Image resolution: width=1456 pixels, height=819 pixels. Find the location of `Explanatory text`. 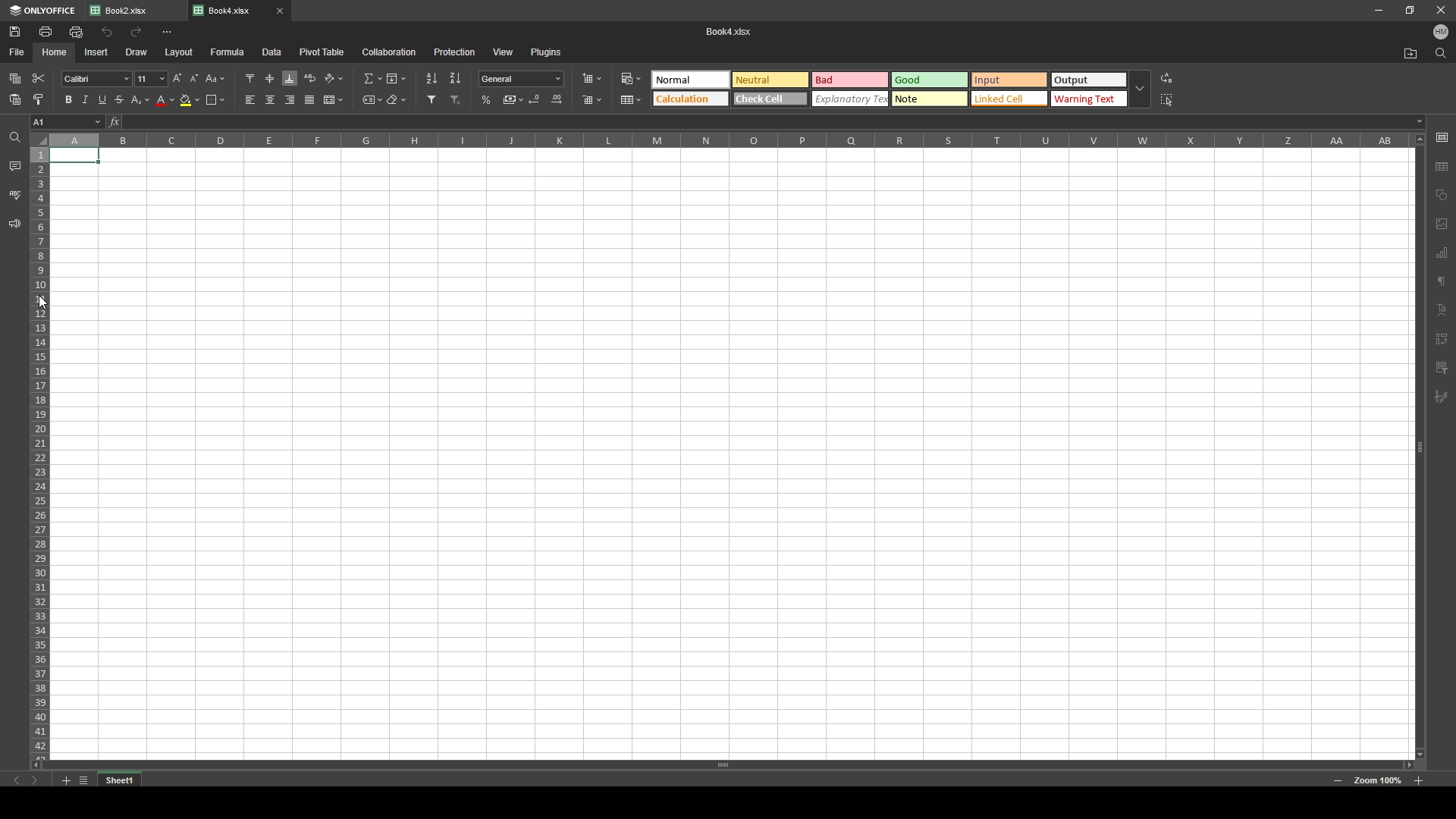

Explanatory text is located at coordinates (851, 99).